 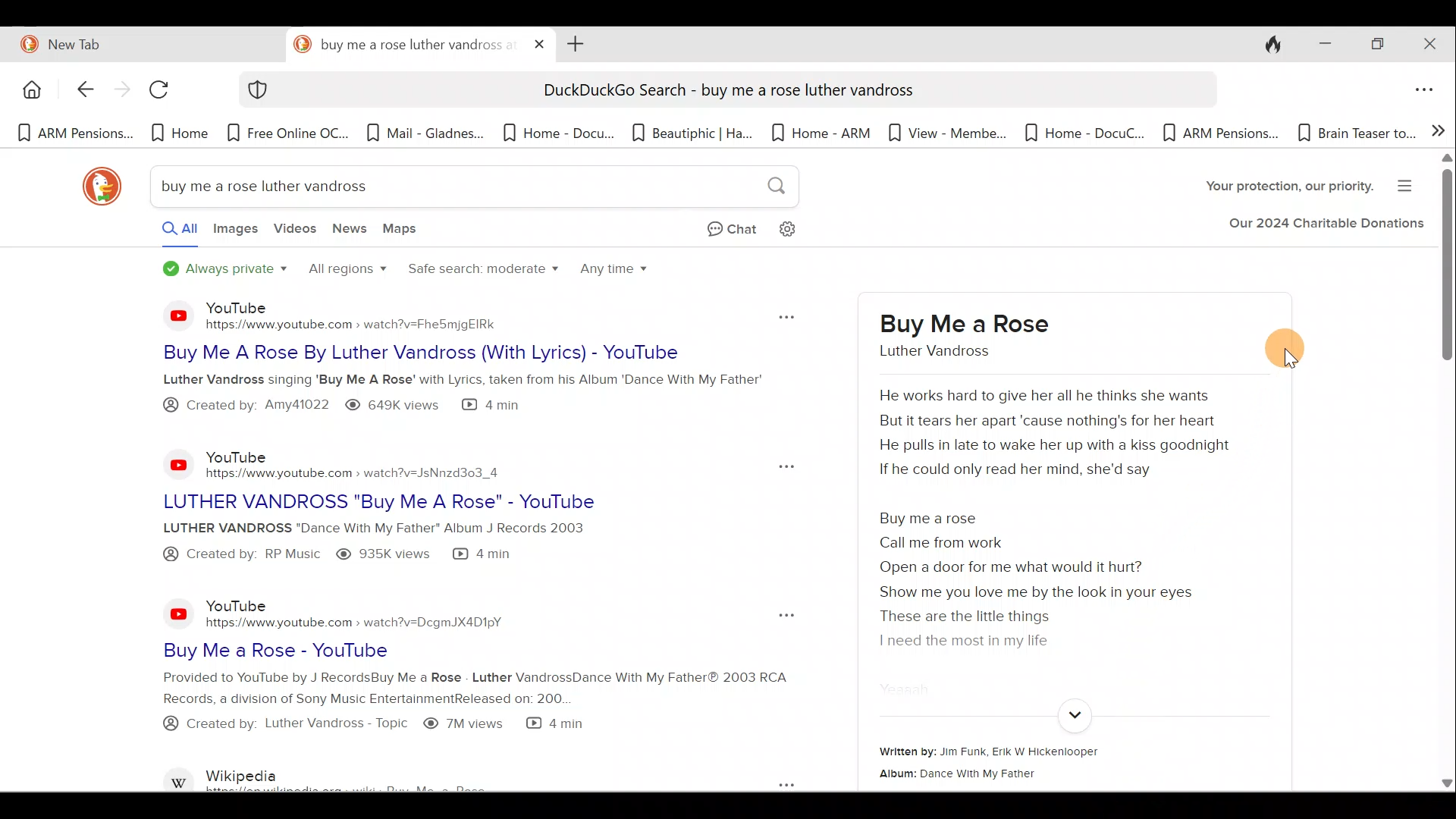 I want to click on Home, so click(x=30, y=89).